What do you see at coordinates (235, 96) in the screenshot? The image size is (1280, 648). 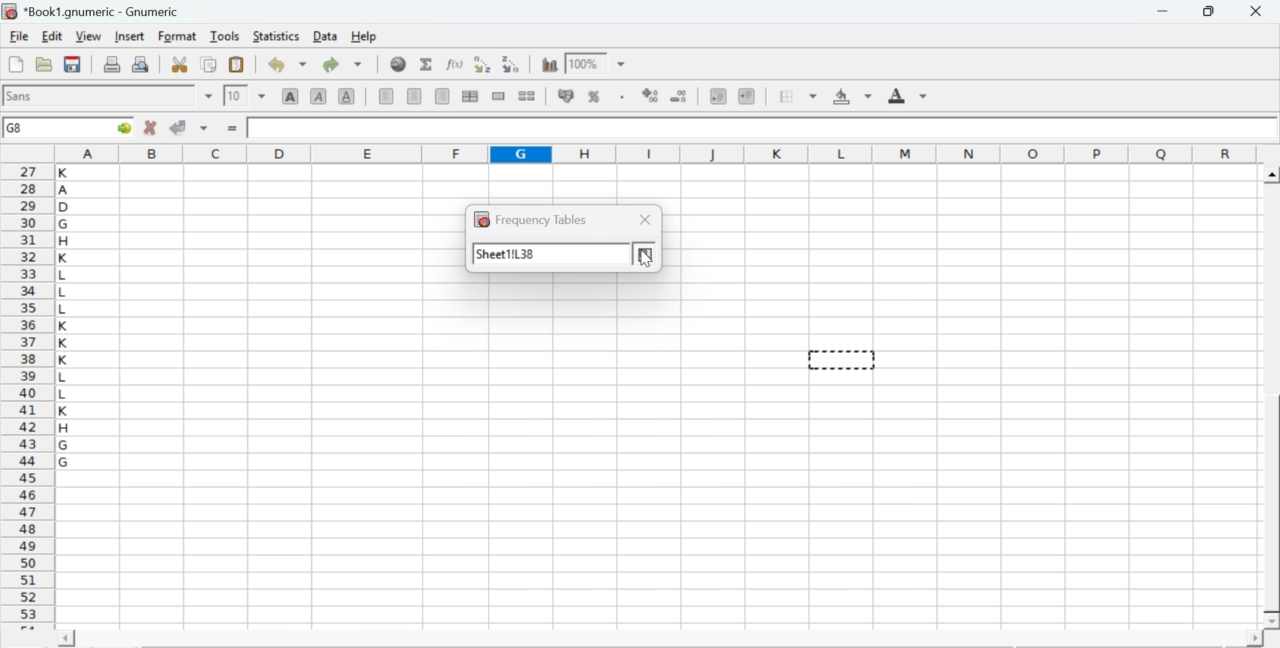 I see `10` at bounding box center [235, 96].